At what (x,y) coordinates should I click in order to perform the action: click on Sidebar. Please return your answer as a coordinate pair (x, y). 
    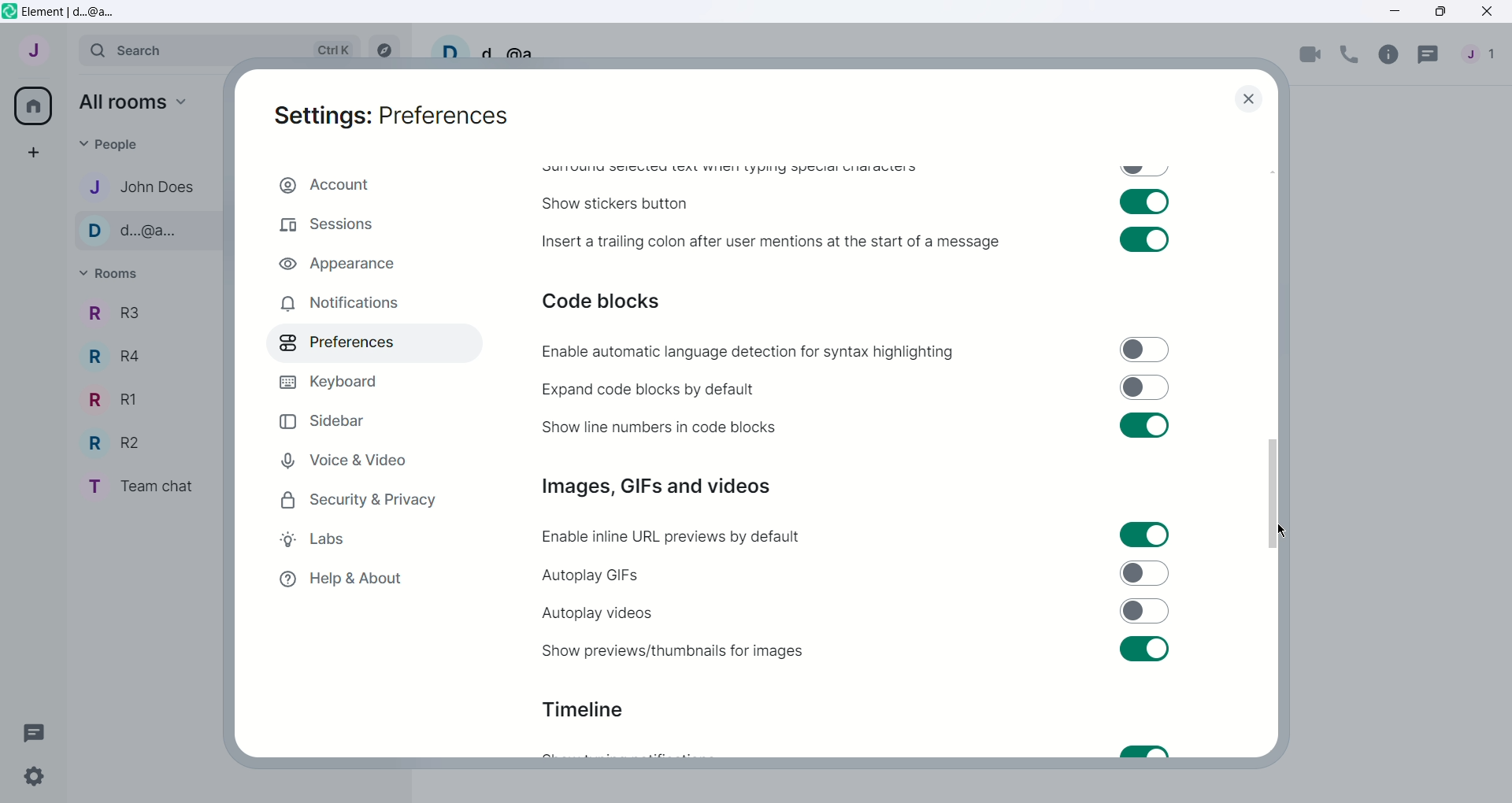
    Looking at the image, I should click on (349, 420).